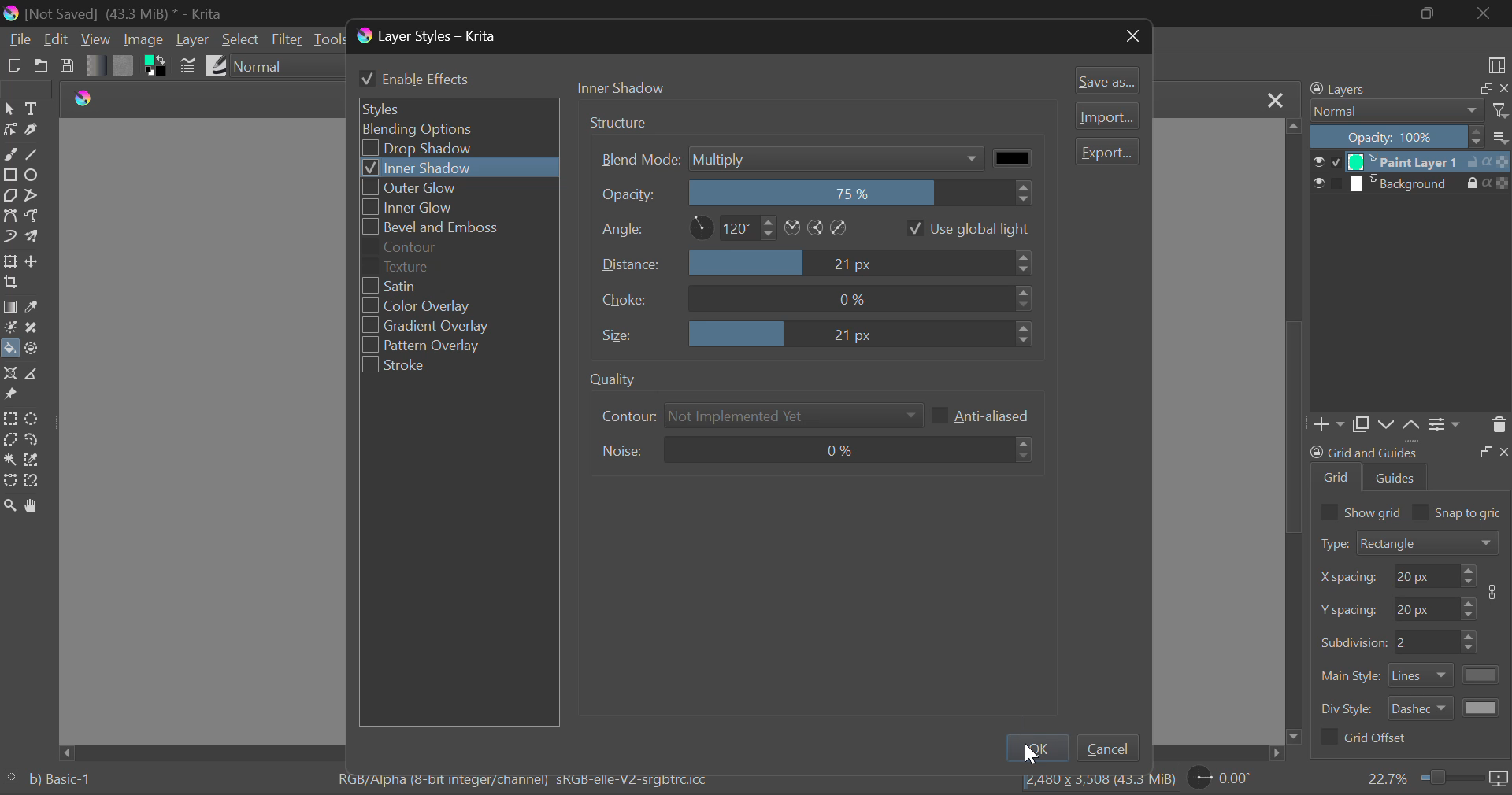 This screenshot has height=795, width=1512. What do you see at coordinates (457, 146) in the screenshot?
I see `Drop Shadow` at bounding box center [457, 146].